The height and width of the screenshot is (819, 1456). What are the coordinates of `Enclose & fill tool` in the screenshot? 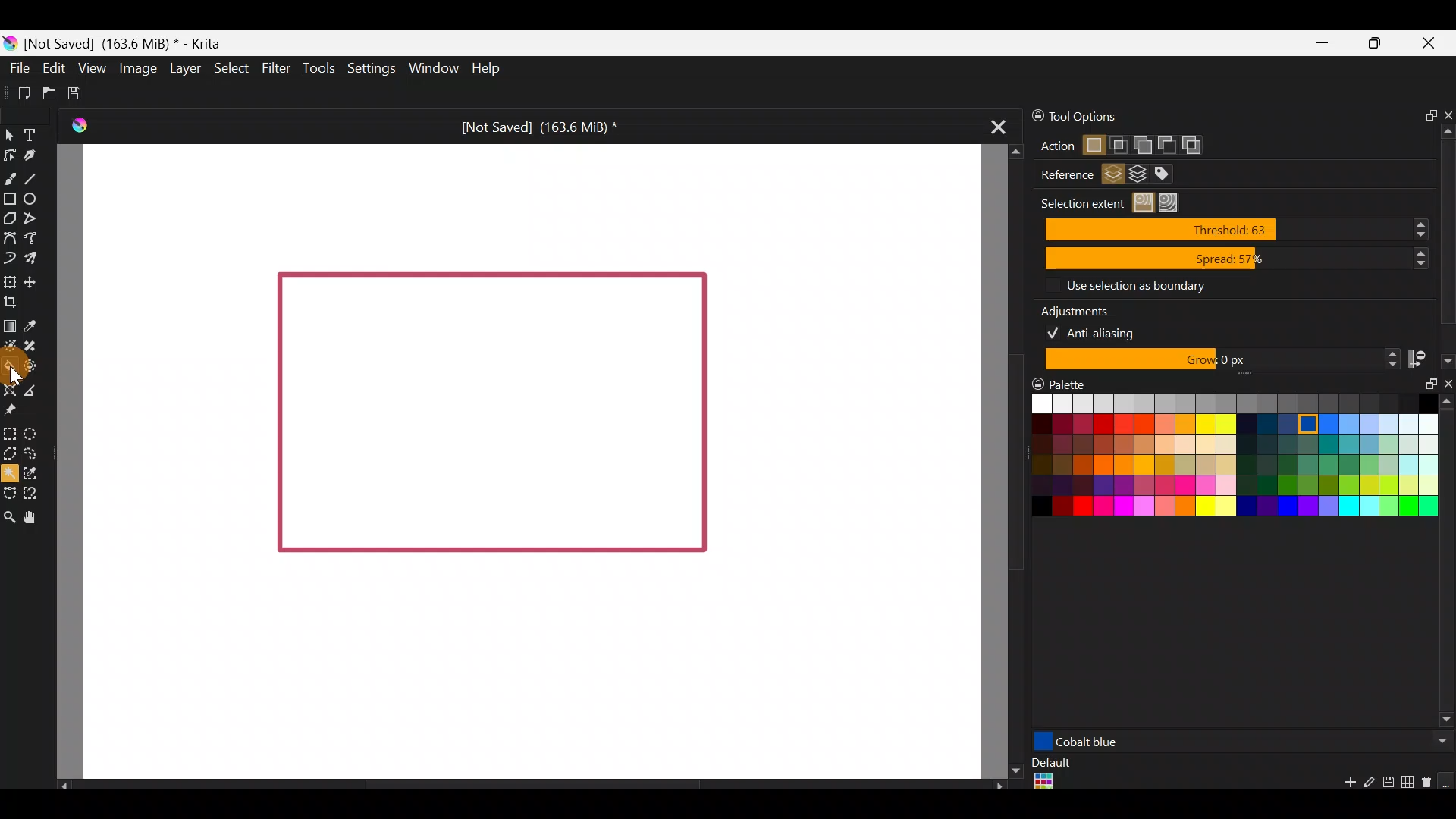 It's located at (36, 366).